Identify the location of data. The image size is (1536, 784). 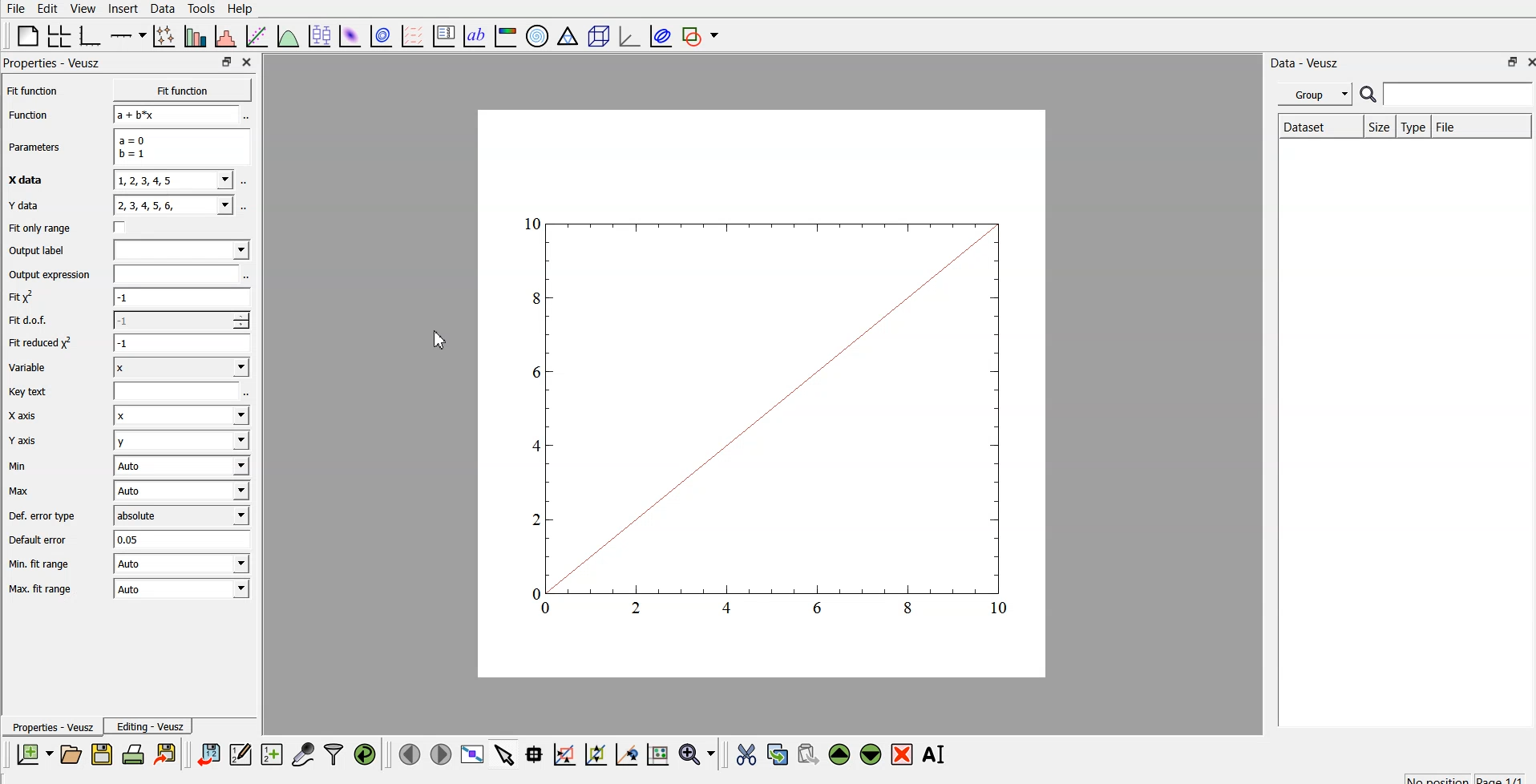
(162, 8).